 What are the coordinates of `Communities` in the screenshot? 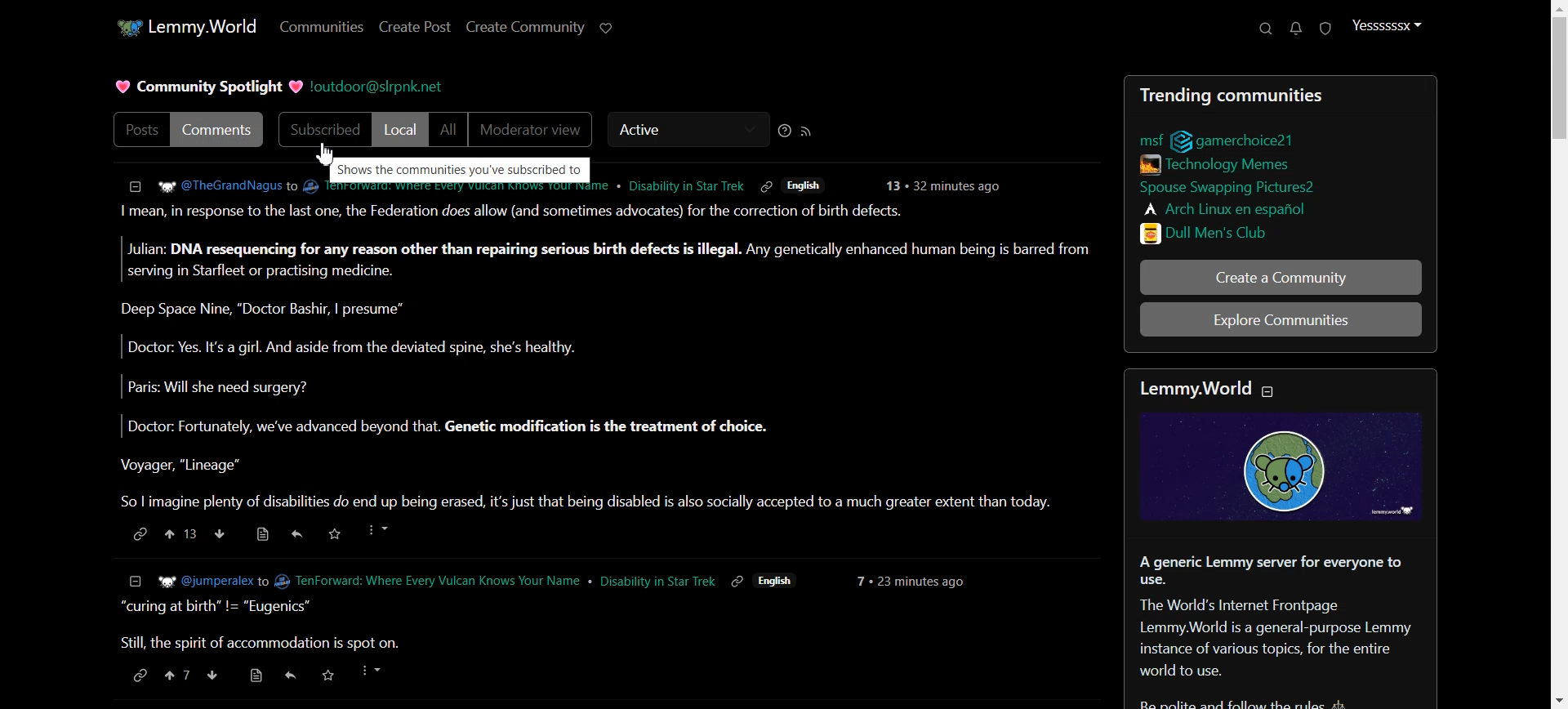 It's located at (319, 27).